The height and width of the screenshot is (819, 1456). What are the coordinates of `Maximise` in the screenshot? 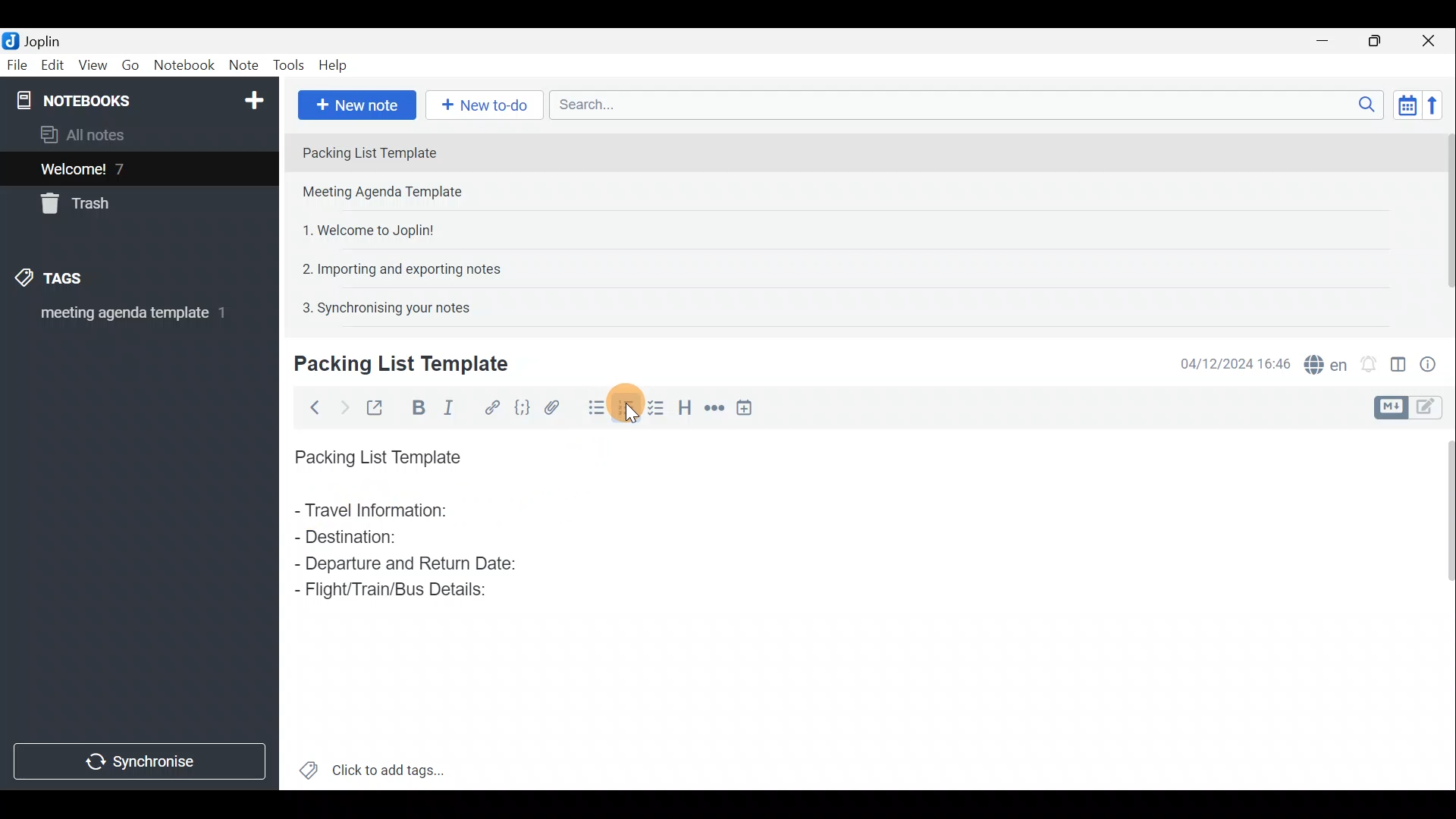 It's located at (1380, 41).